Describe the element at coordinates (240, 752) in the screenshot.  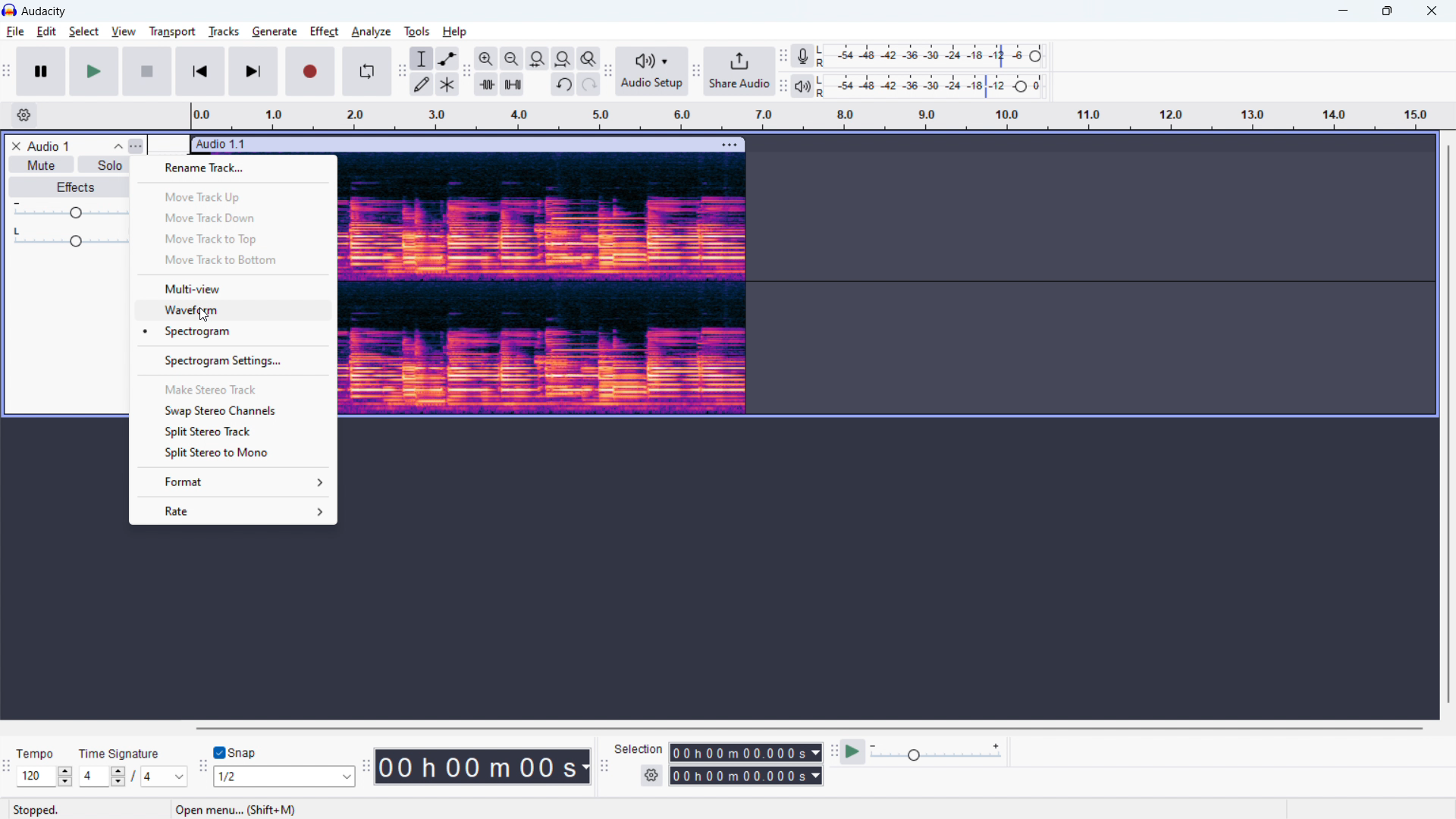
I see `toggle snap` at that location.